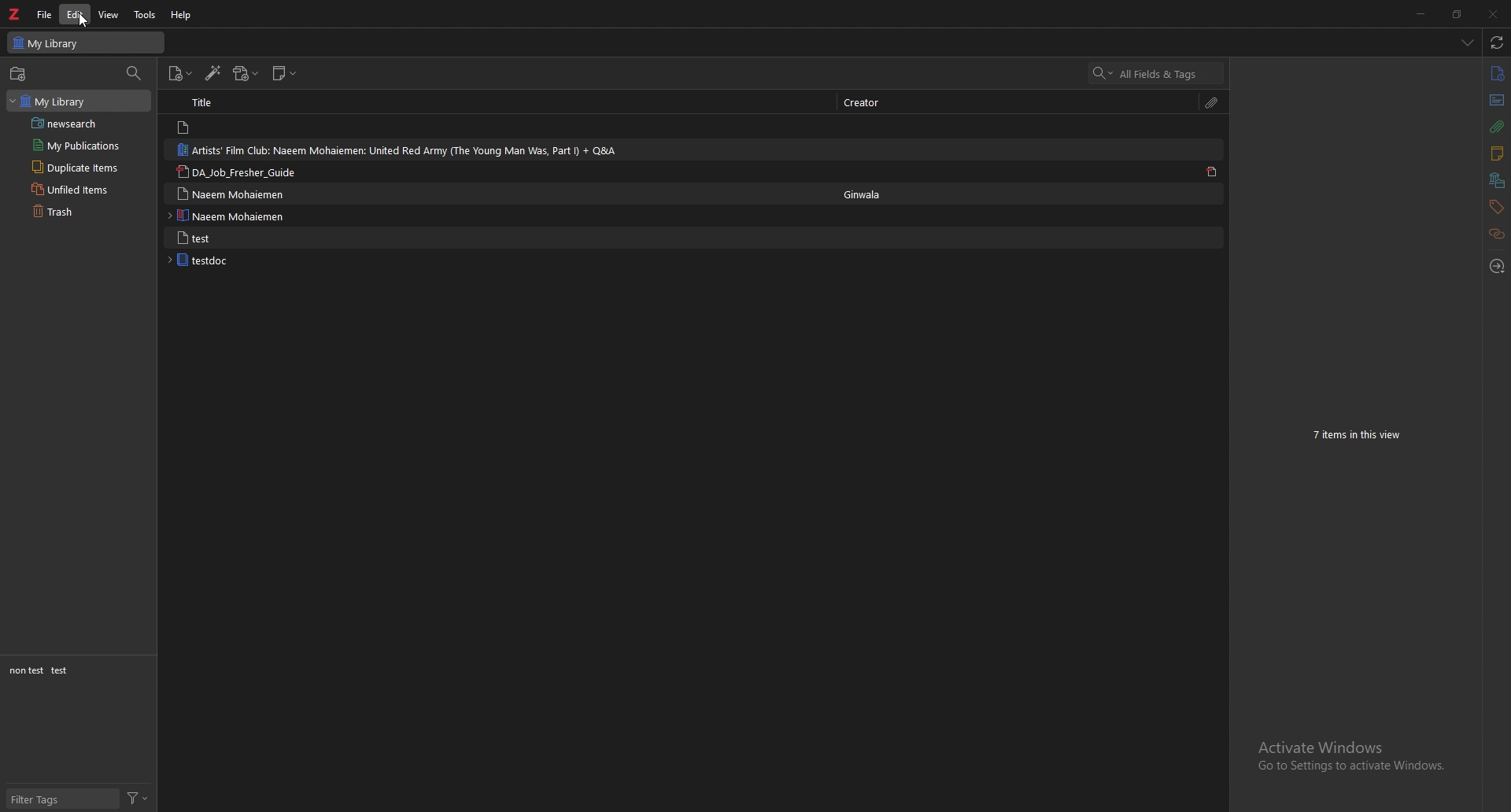  What do you see at coordinates (233, 260) in the screenshot?
I see `testdoc` at bounding box center [233, 260].